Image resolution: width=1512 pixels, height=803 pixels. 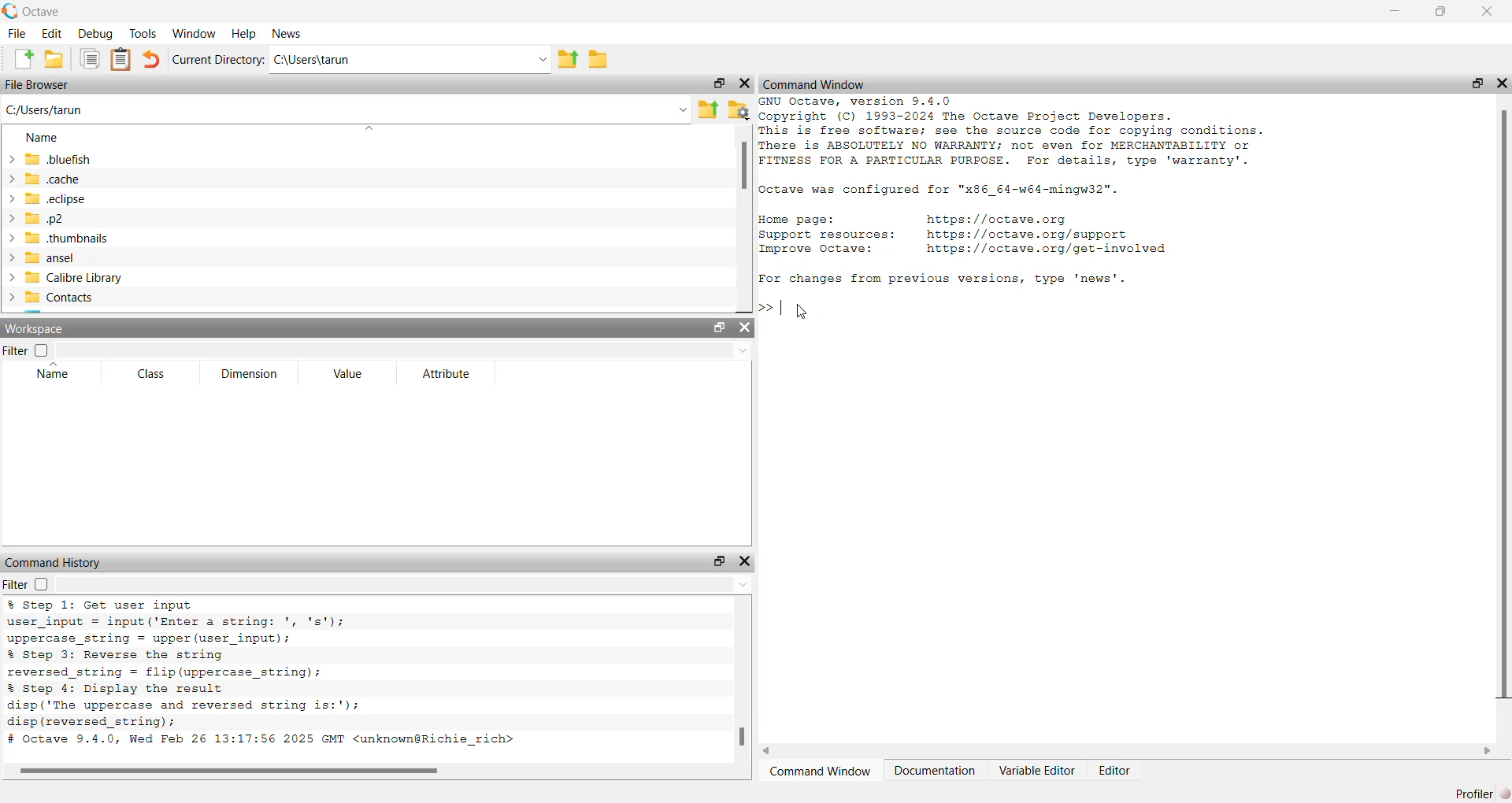 I want to click on file browser, so click(x=42, y=86).